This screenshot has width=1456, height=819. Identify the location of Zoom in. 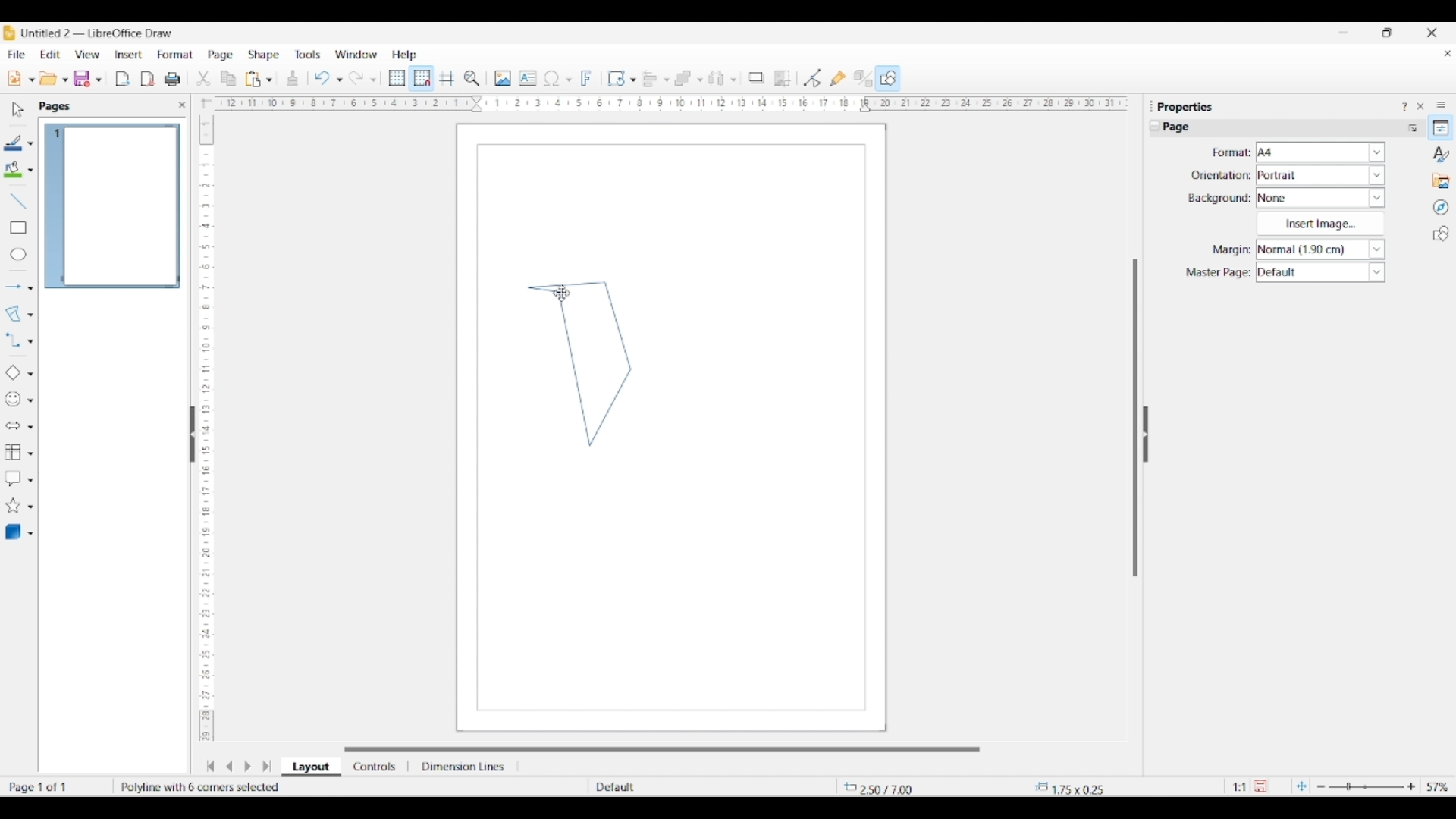
(1411, 786).